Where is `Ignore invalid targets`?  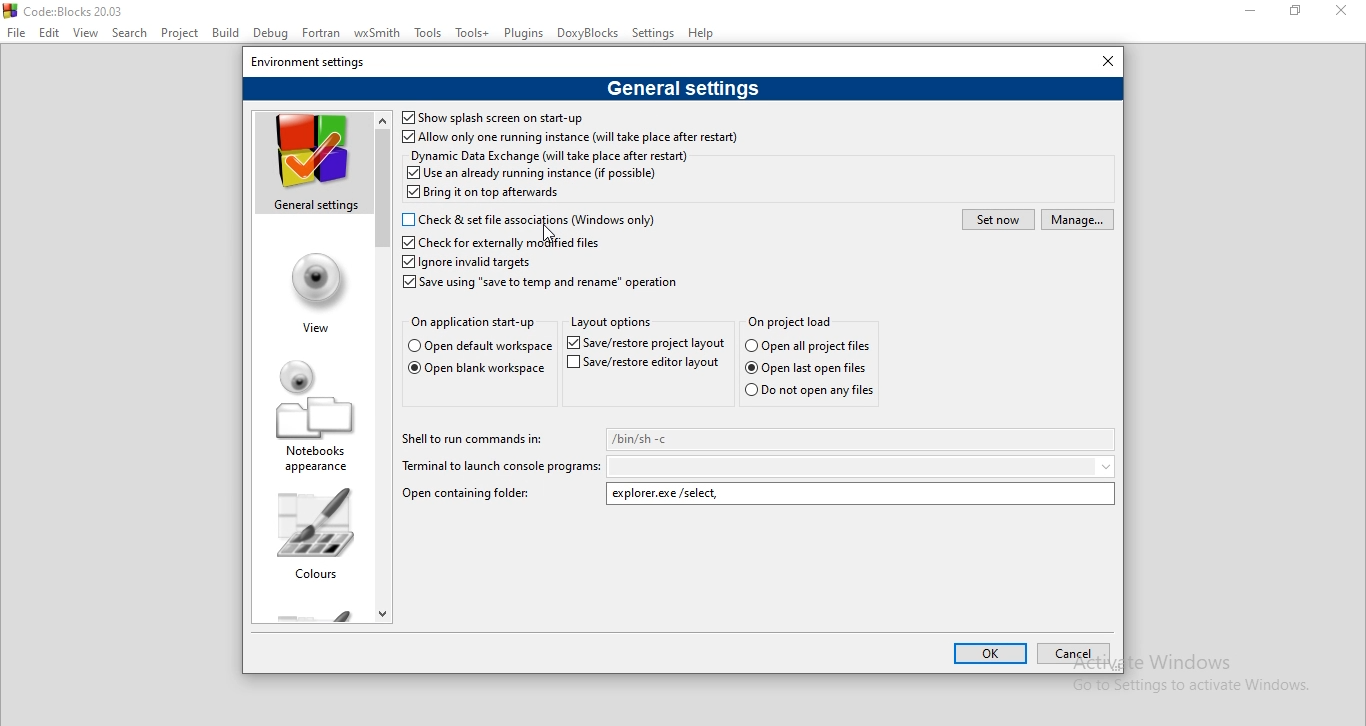
Ignore invalid targets is located at coordinates (467, 263).